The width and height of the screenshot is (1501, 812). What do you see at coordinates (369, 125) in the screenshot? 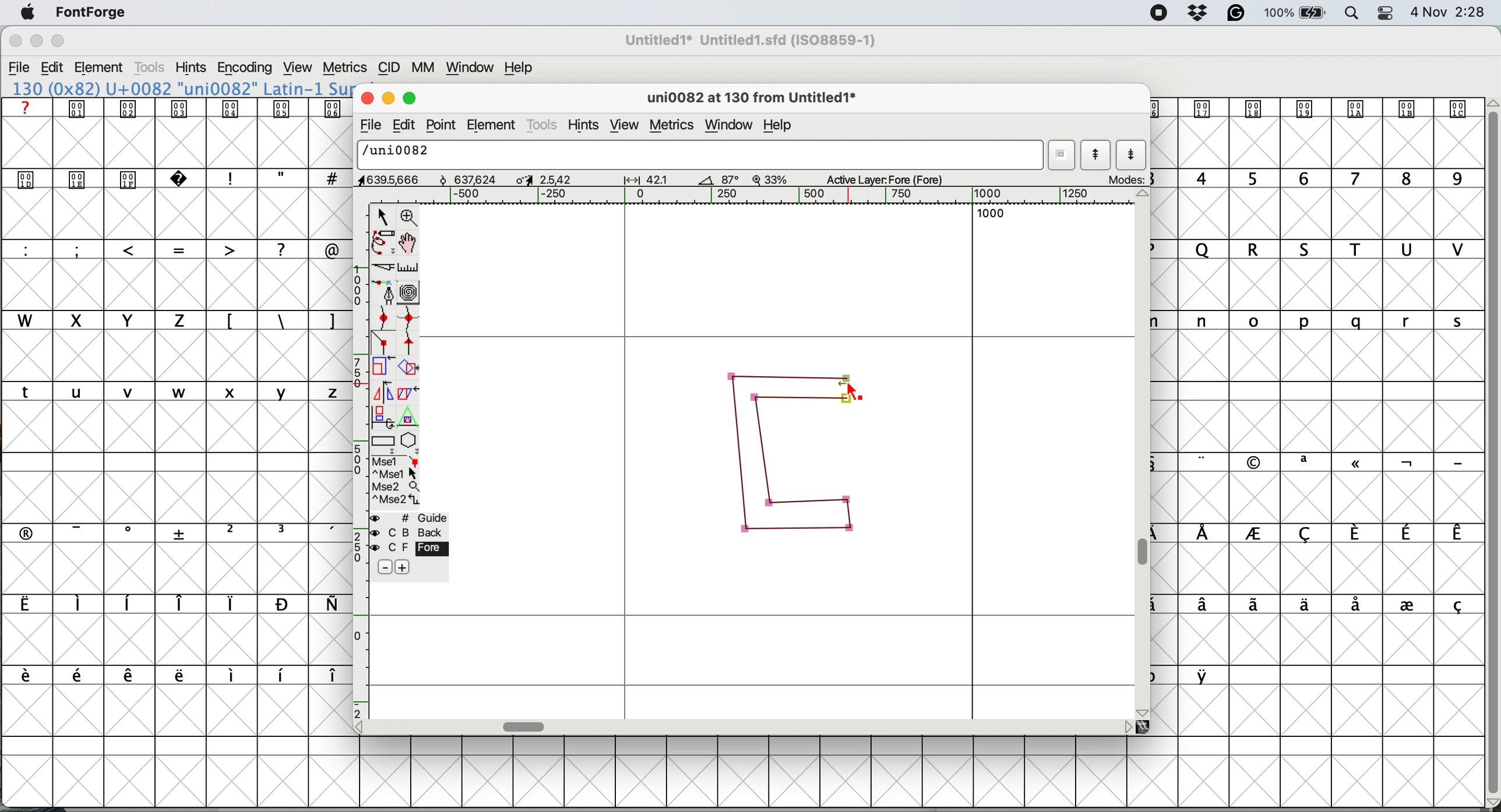
I see `file` at bounding box center [369, 125].